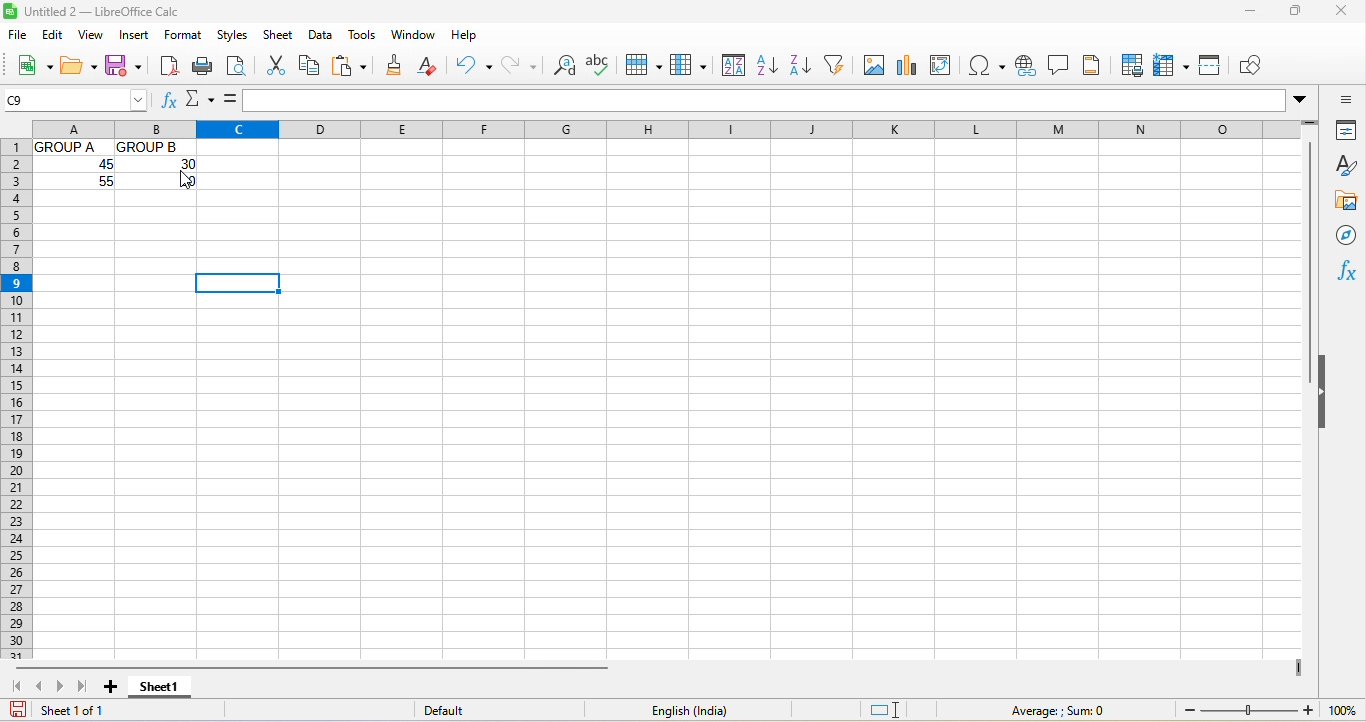  Describe the element at coordinates (1063, 64) in the screenshot. I see `comment` at that location.